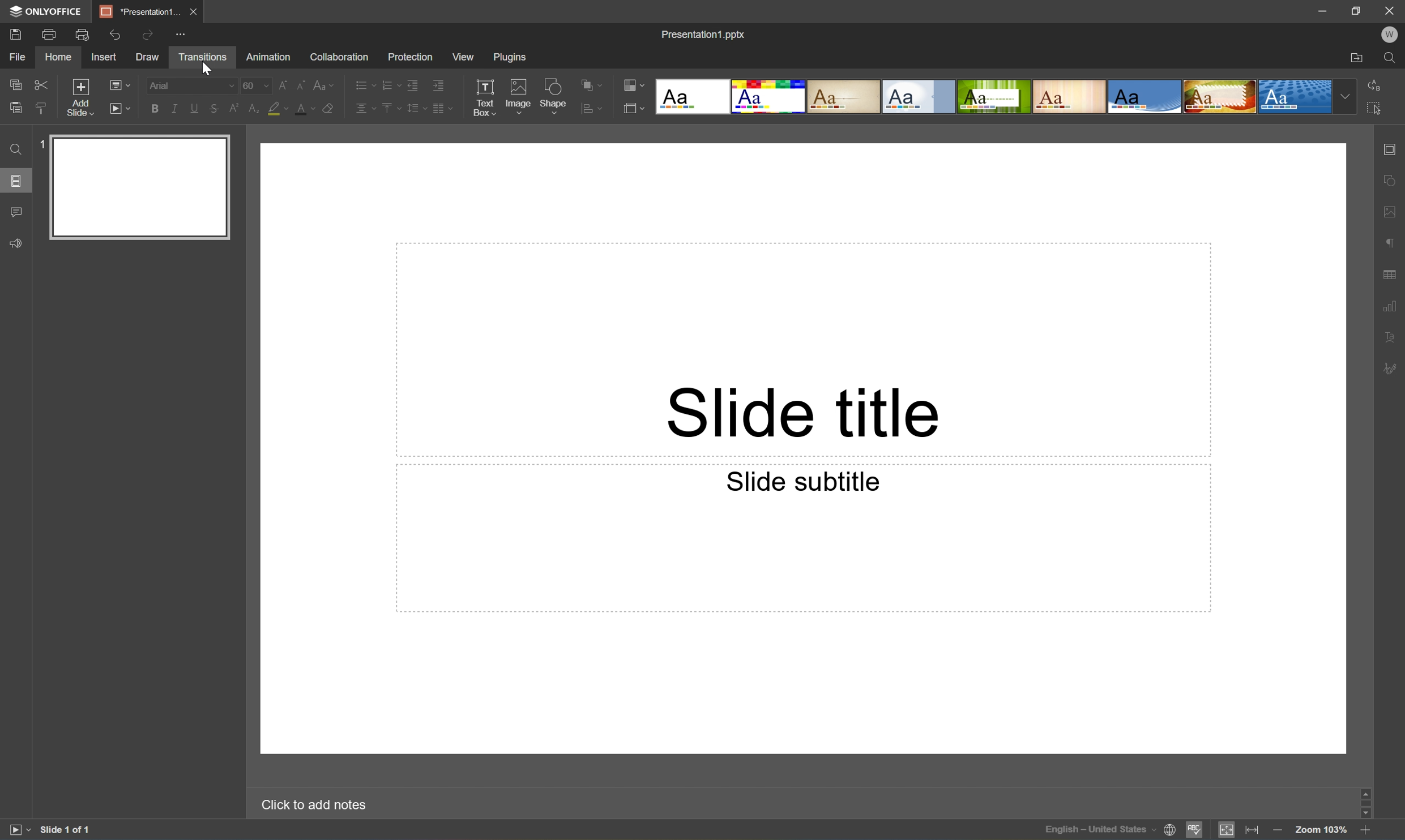 The image size is (1405, 840). What do you see at coordinates (388, 83) in the screenshot?
I see `Numbering` at bounding box center [388, 83].